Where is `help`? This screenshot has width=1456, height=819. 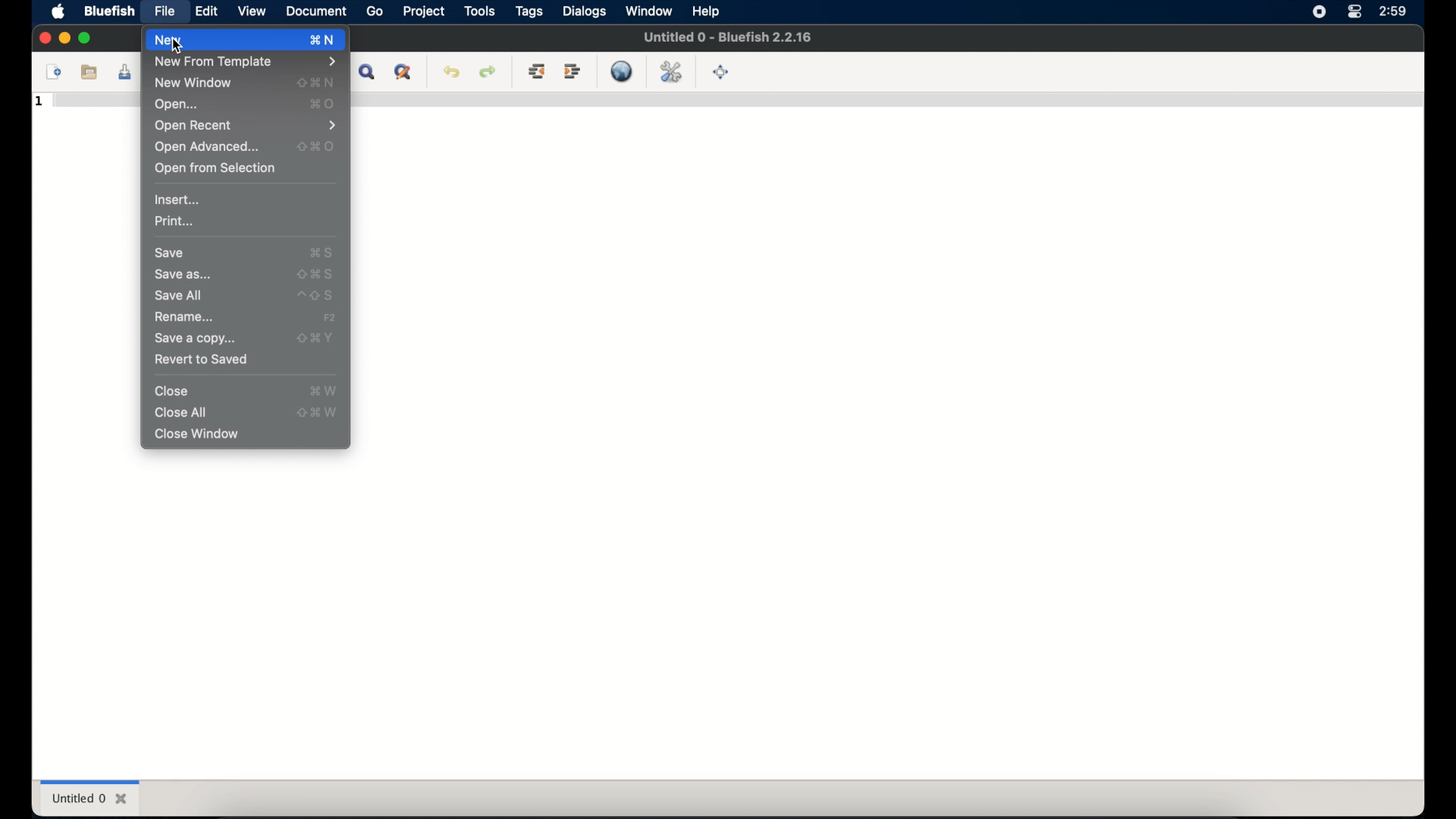 help is located at coordinates (707, 11).